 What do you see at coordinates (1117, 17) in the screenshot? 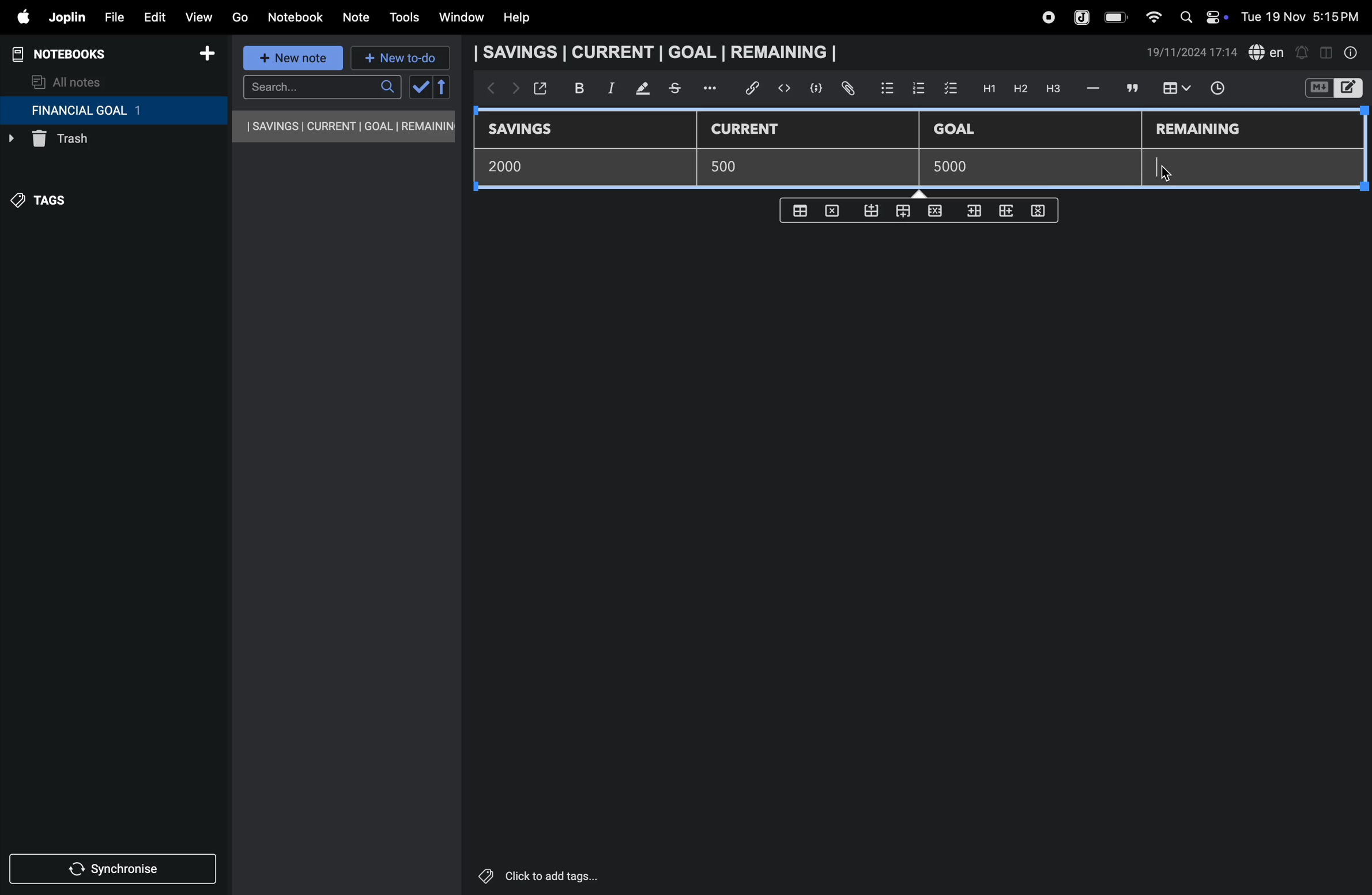
I see `battery` at bounding box center [1117, 17].